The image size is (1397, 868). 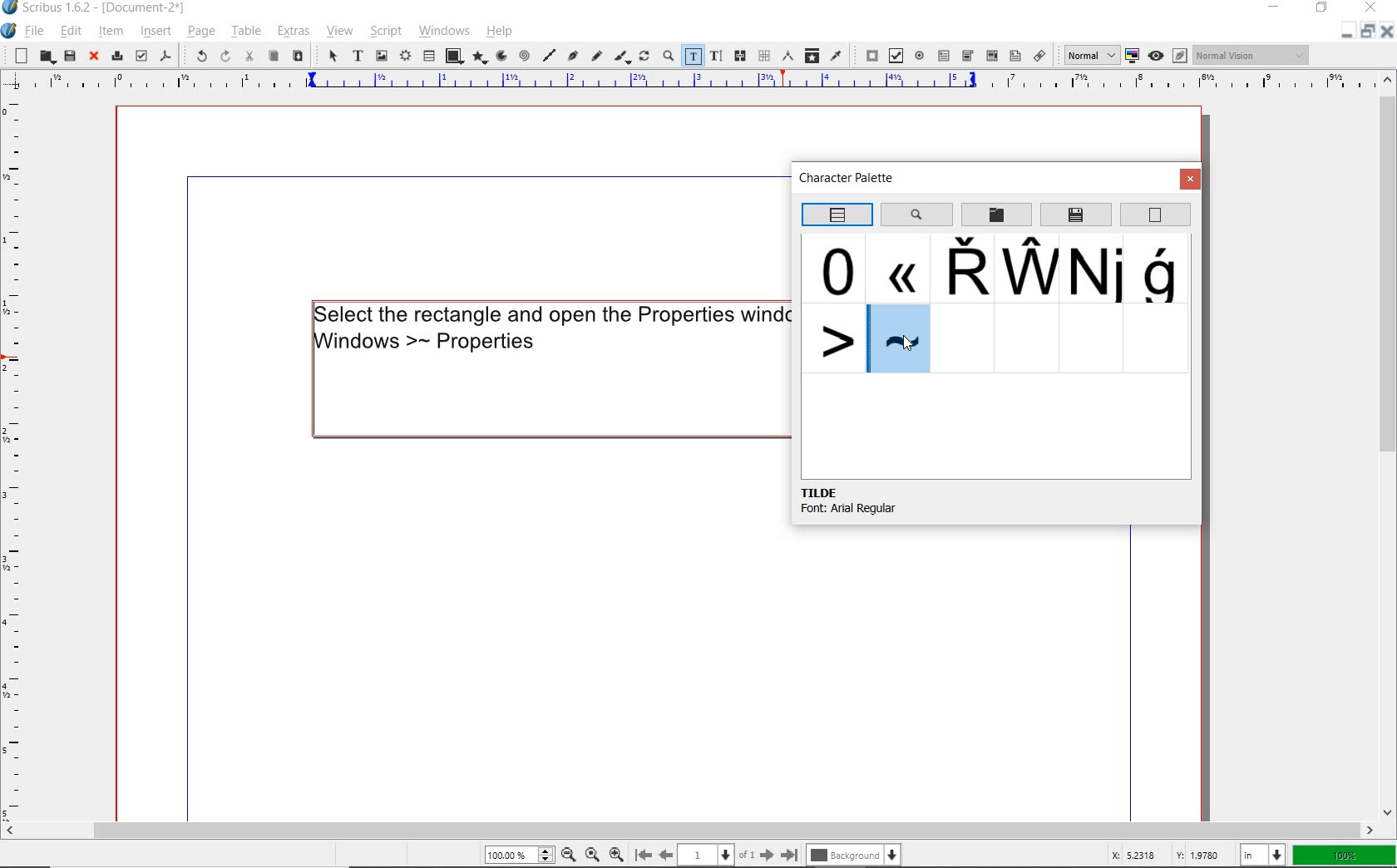 I want to click on open, so click(x=45, y=56).